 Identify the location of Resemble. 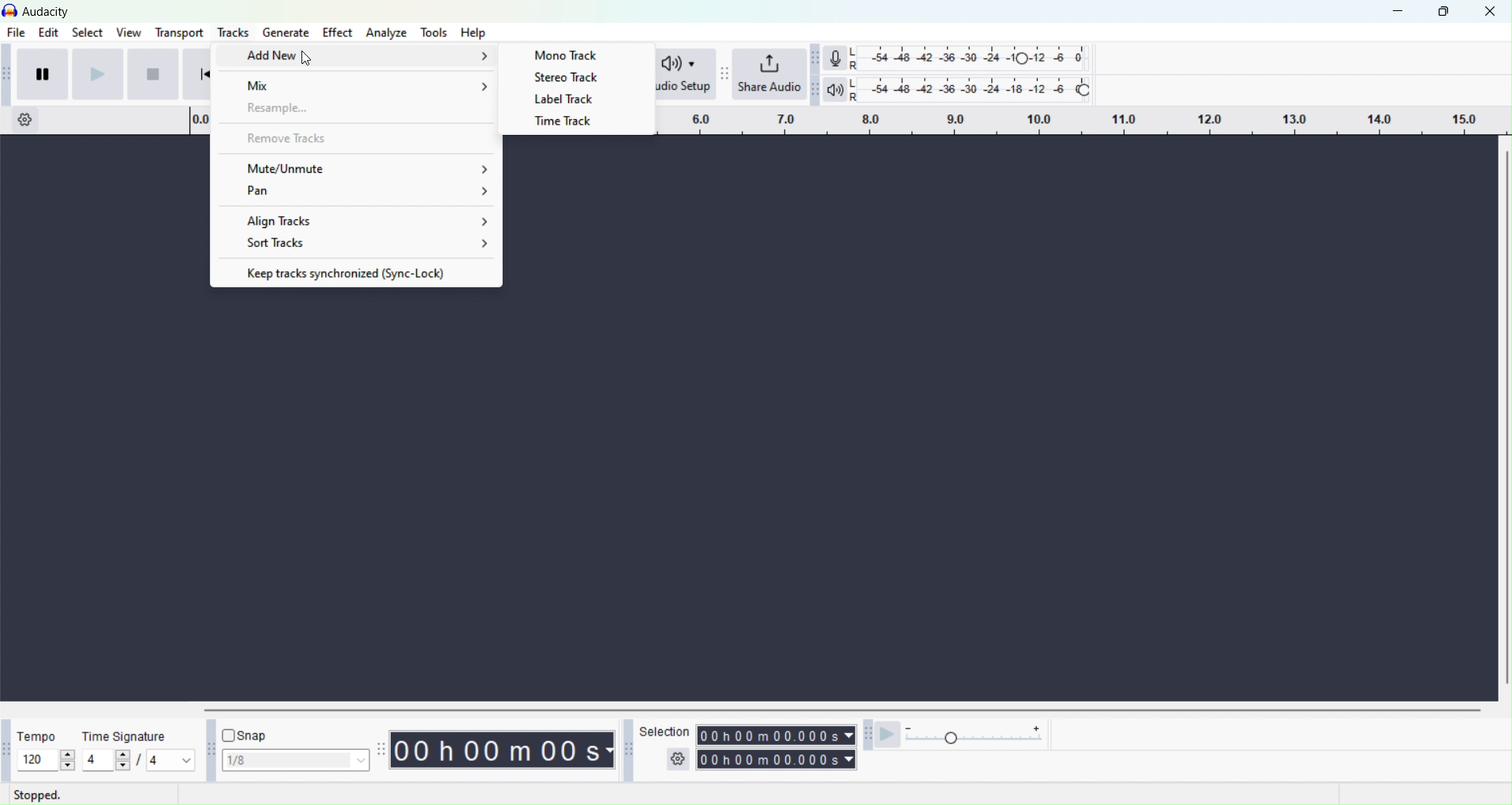
(357, 110).